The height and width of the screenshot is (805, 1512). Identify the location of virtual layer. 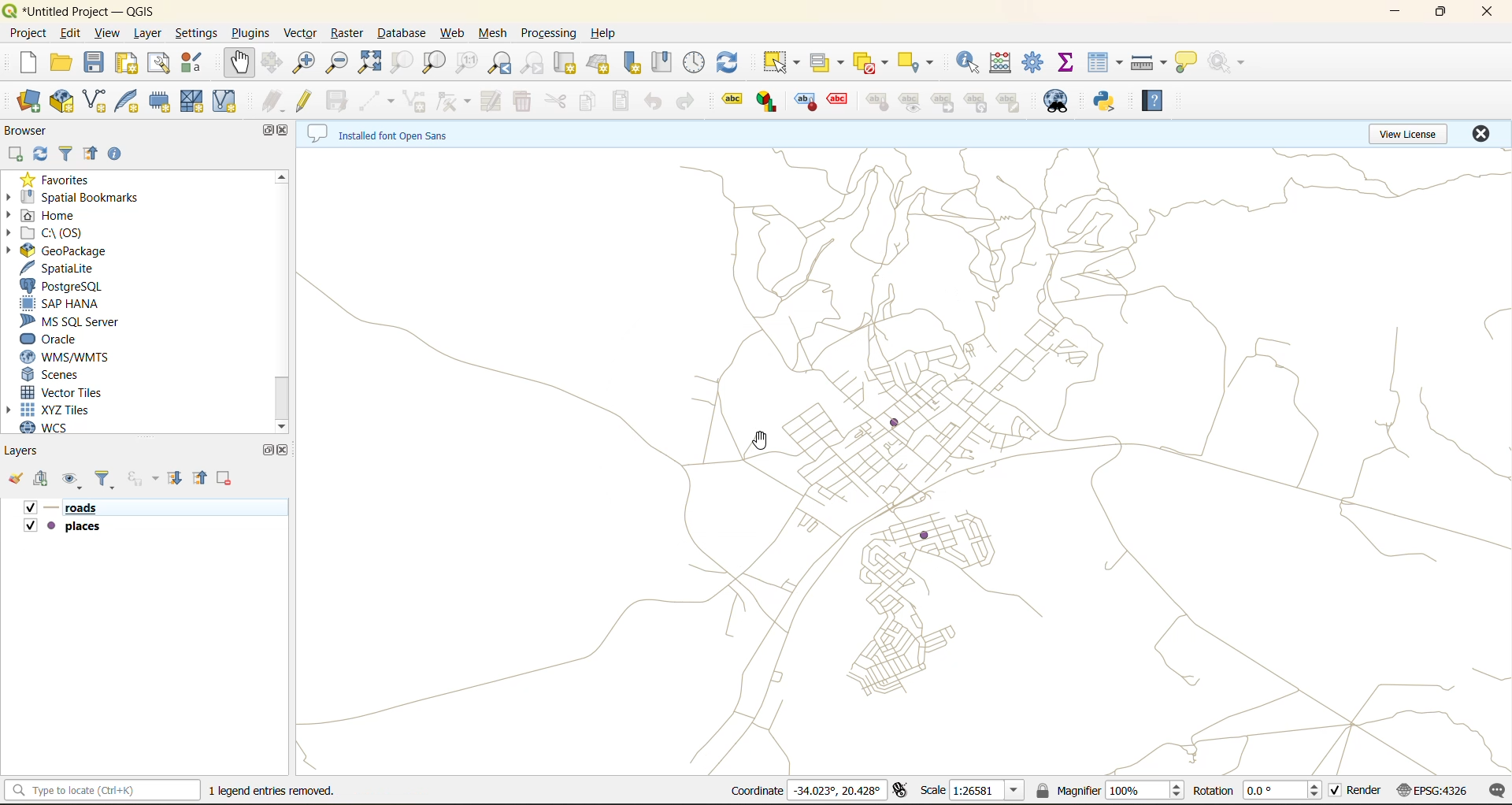
(224, 100).